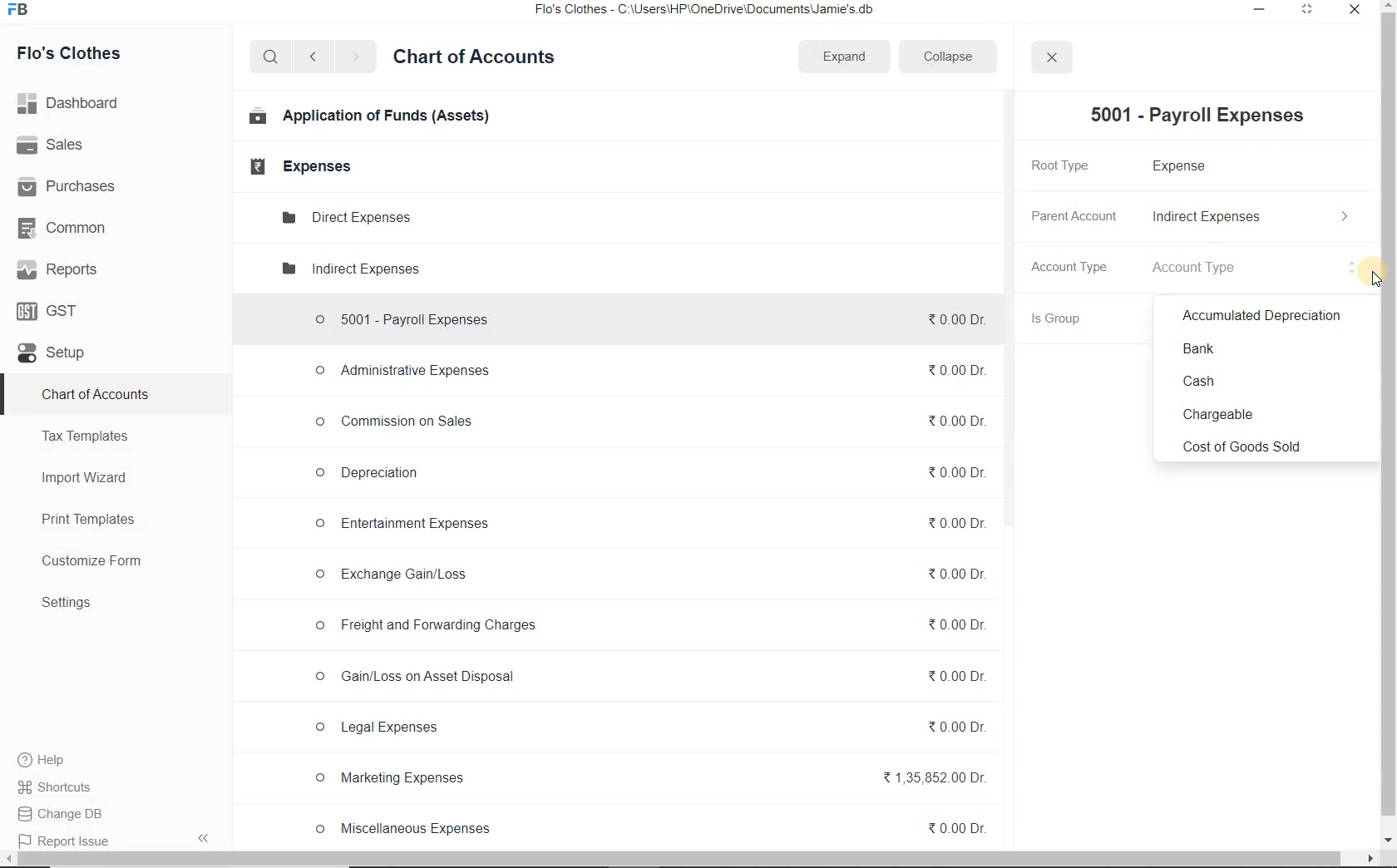 Image resolution: width=1397 pixels, height=868 pixels. Describe the element at coordinates (1072, 266) in the screenshot. I see `Account Type` at that location.